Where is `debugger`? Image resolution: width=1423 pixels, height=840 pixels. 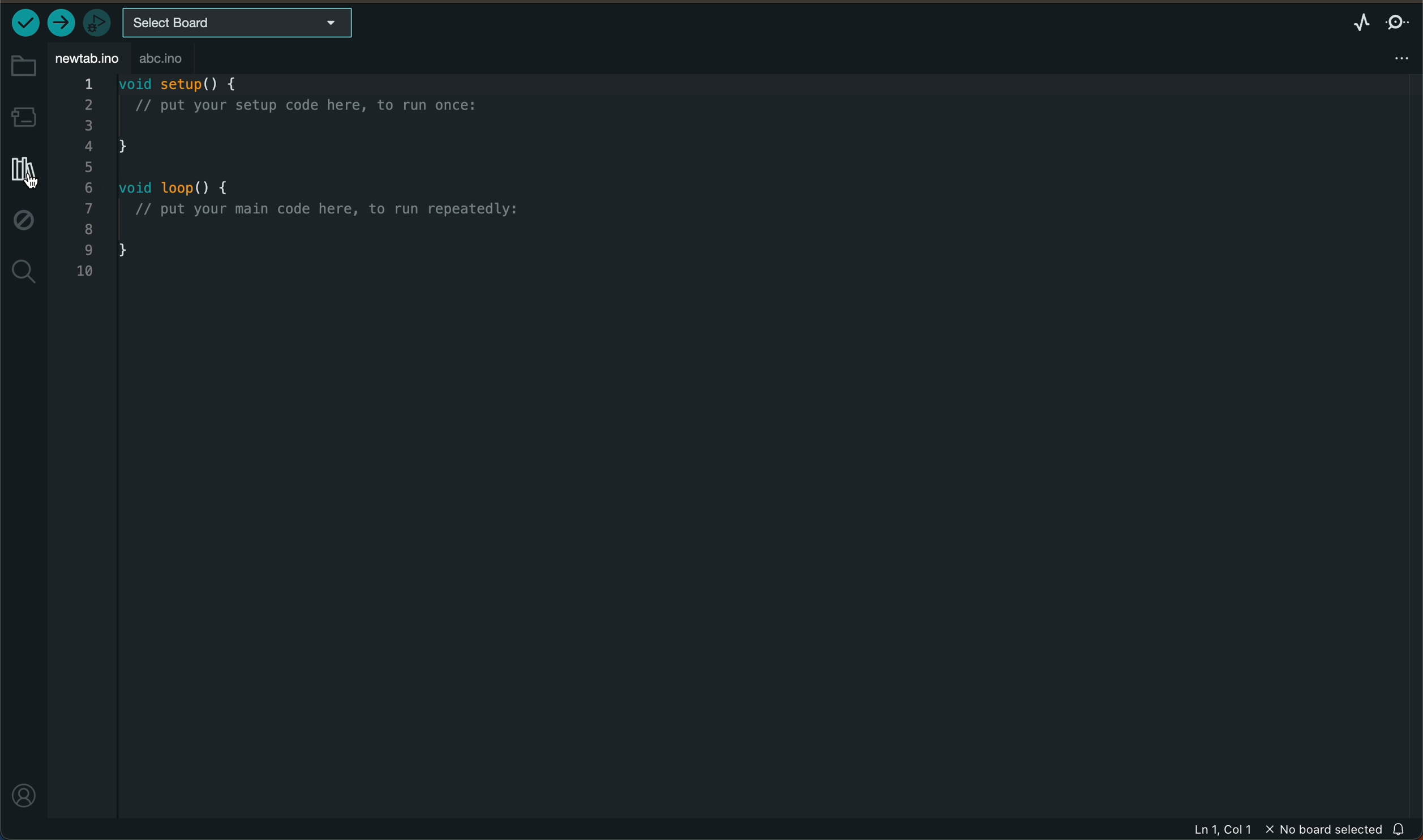 debugger is located at coordinates (95, 22).